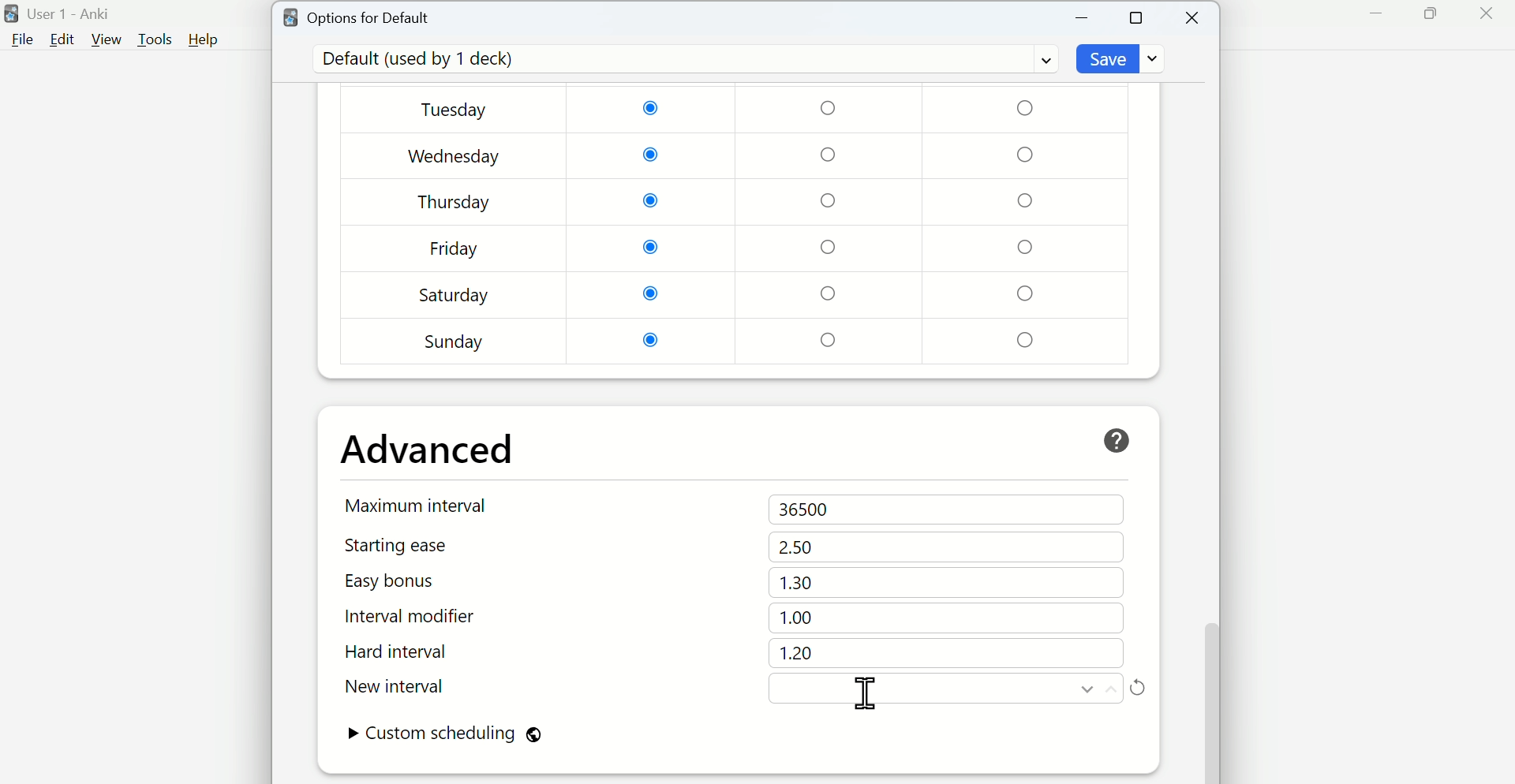 The height and width of the screenshot is (784, 1515). I want to click on Maximize, so click(1430, 14).